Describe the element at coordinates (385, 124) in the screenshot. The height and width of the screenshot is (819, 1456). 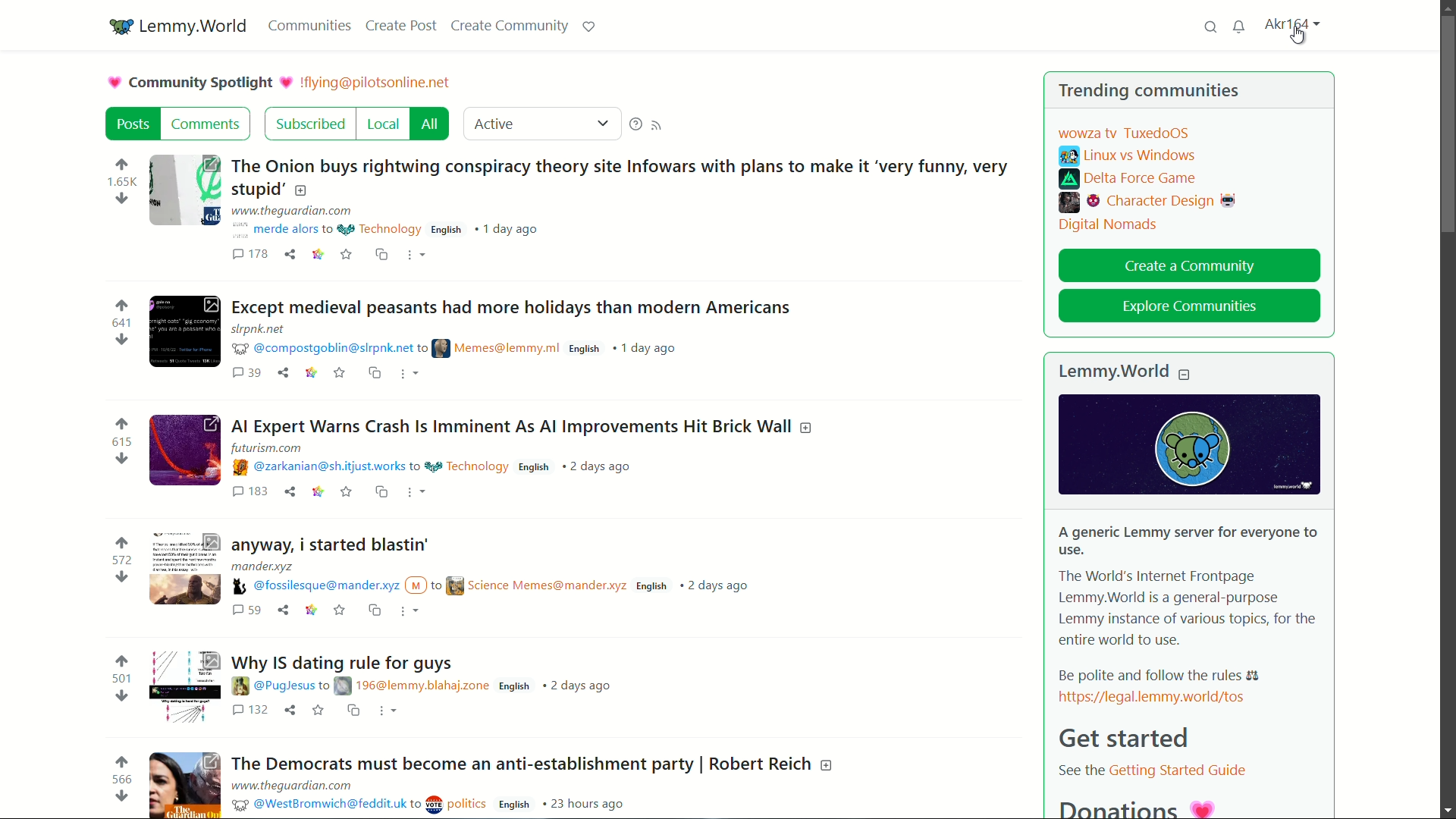
I see `local` at that location.